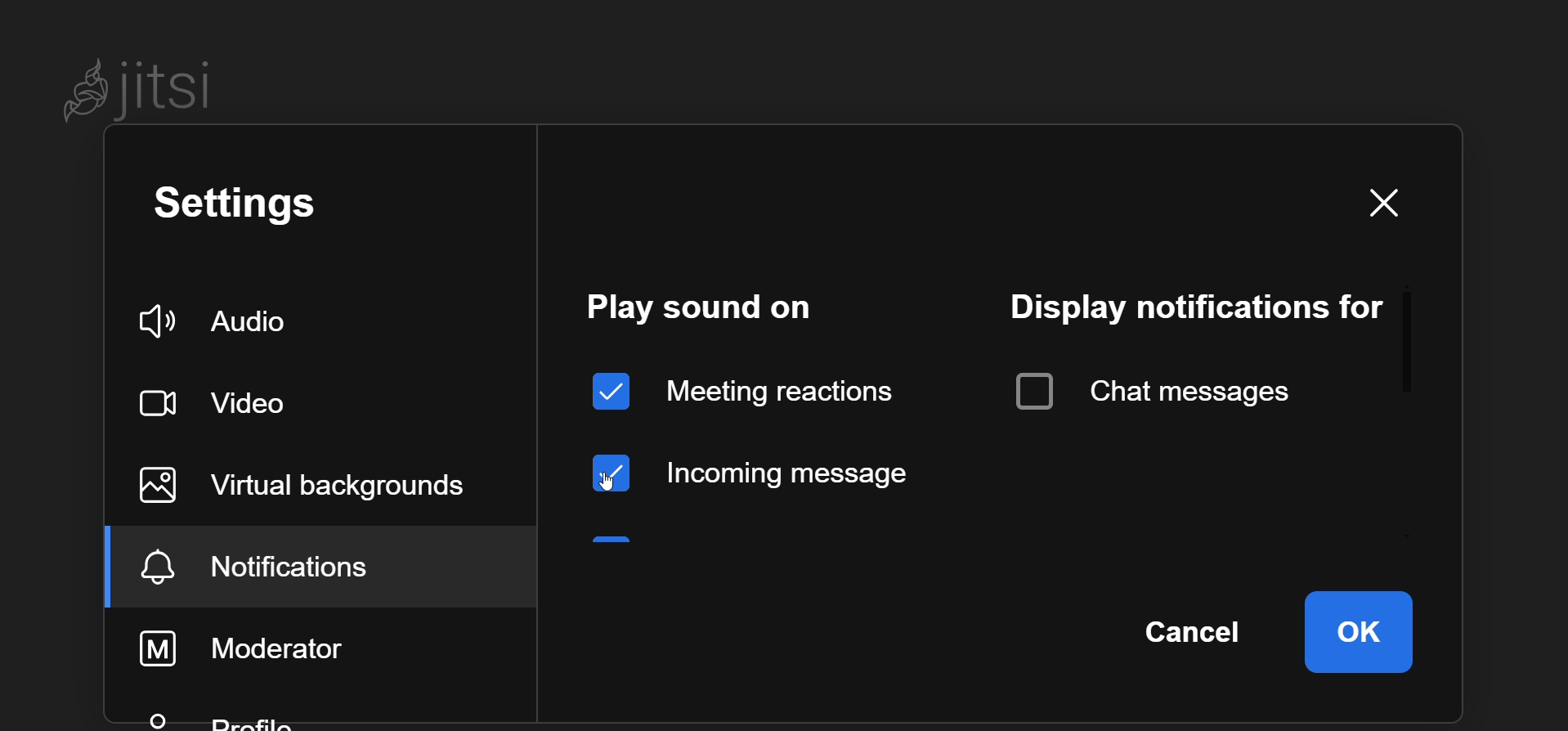 The width and height of the screenshot is (1568, 731). Describe the element at coordinates (226, 319) in the screenshot. I see `audio` at that location.